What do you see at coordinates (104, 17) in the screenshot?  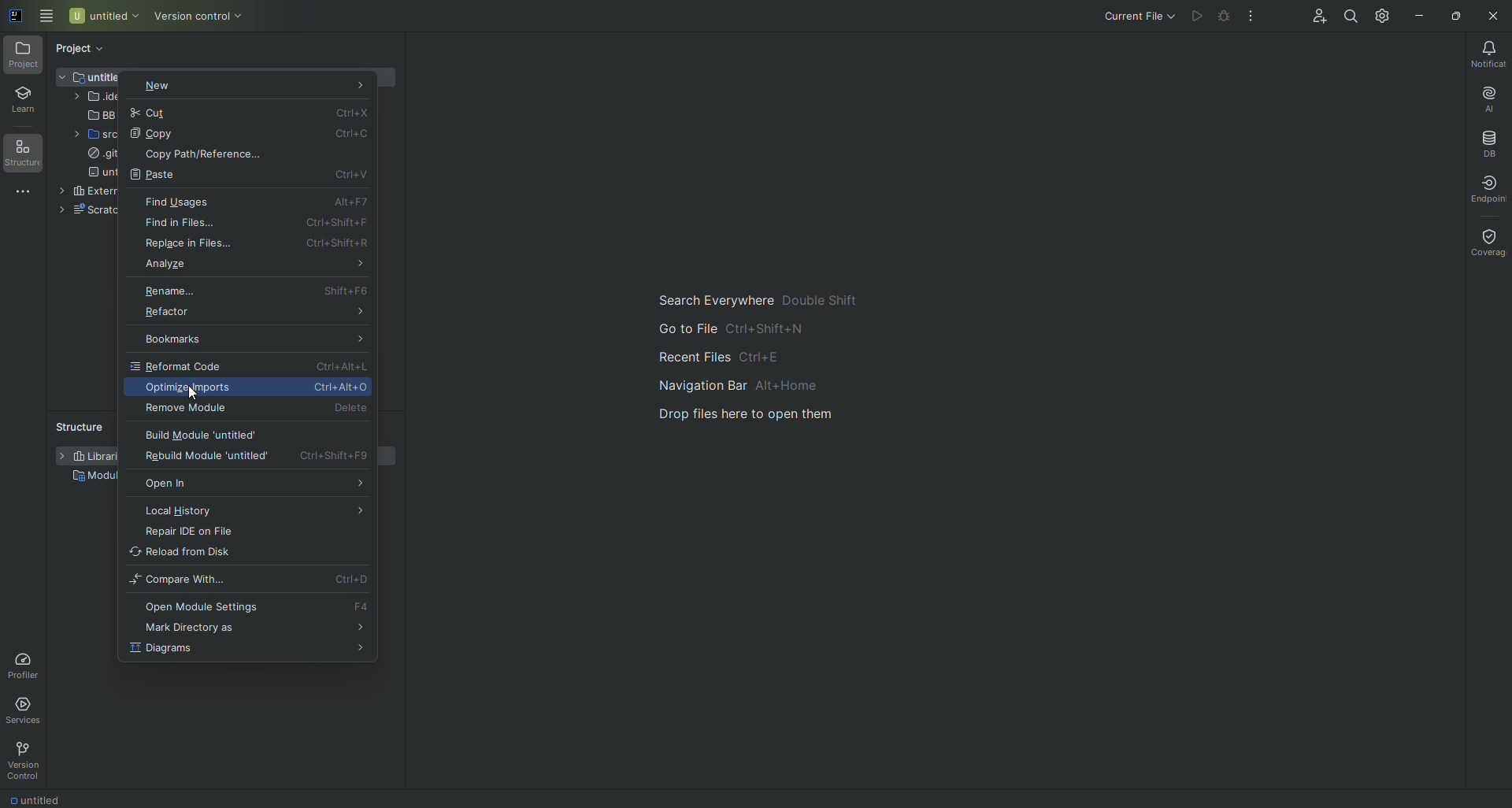 I see `Untitled` at bounding box center [104, 17].